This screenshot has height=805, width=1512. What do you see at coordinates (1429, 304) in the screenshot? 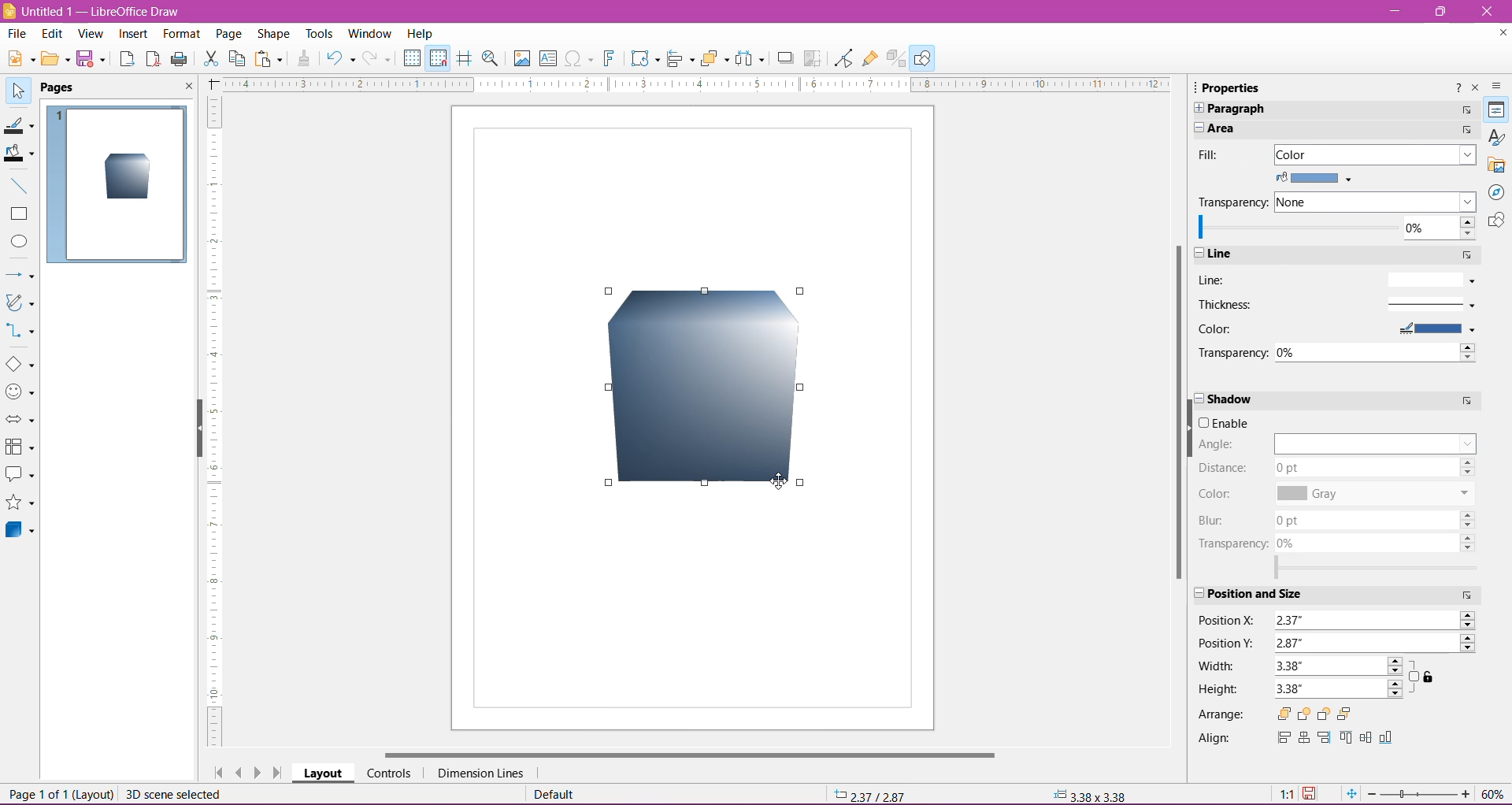
I see `Select line thickness` at bounding box center [1429, 304].